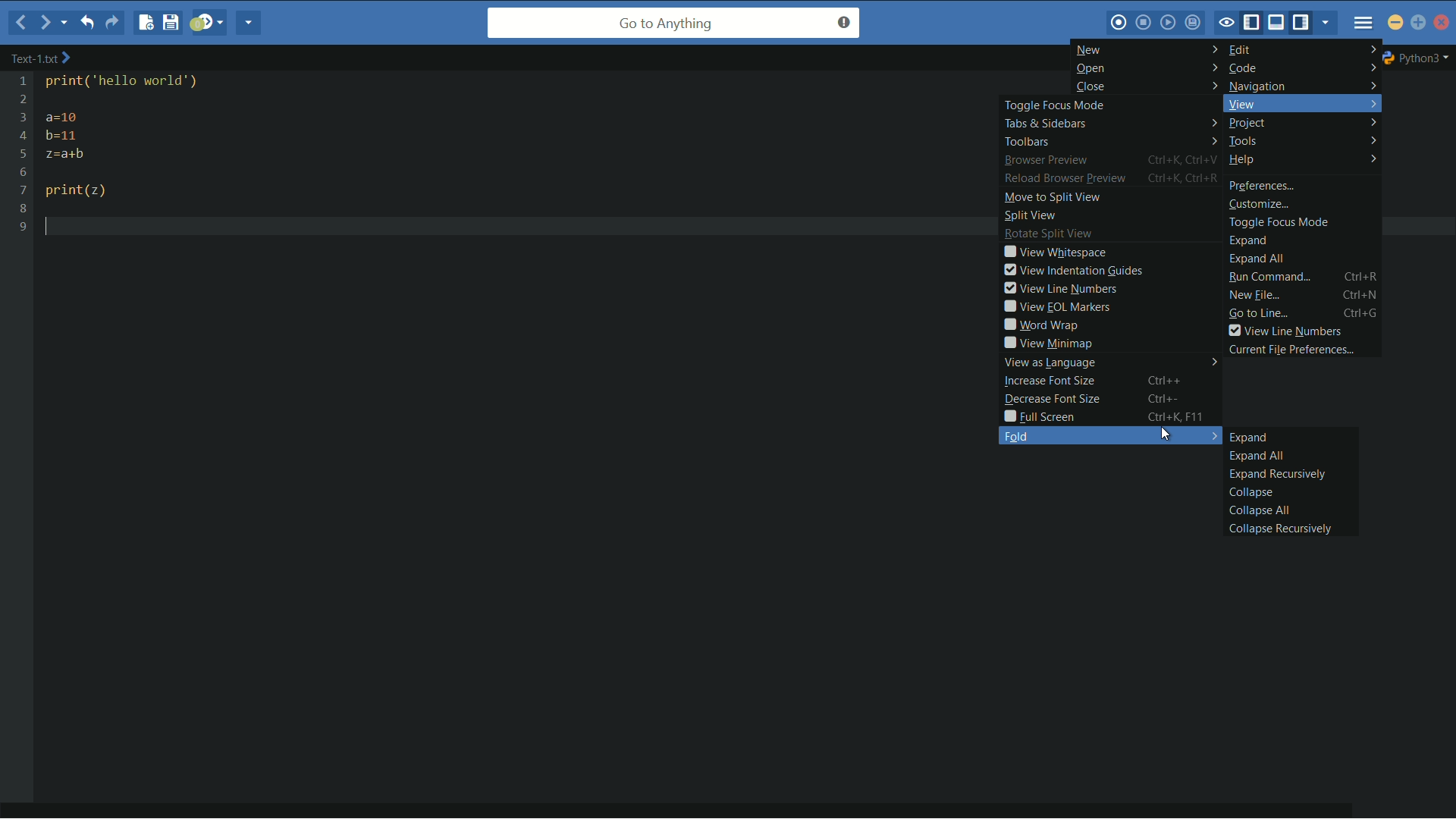 The image size is (1456, 819). Describe the element at coordinates (1442, 22) in the screenshot. I see `close app` at that location.